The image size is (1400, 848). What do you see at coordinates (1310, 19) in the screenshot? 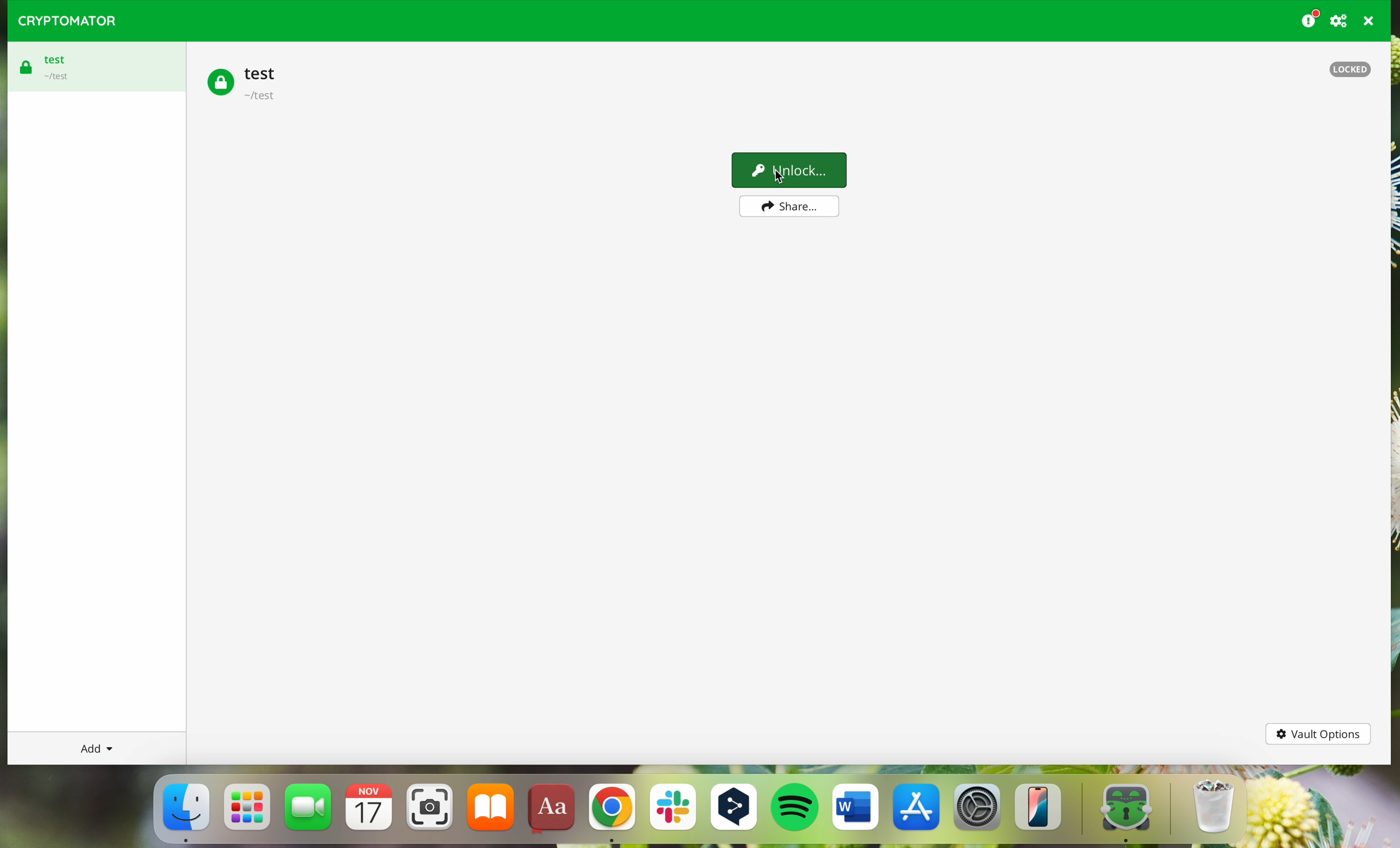
I see `donating button` at bounding box center [1310, 19].